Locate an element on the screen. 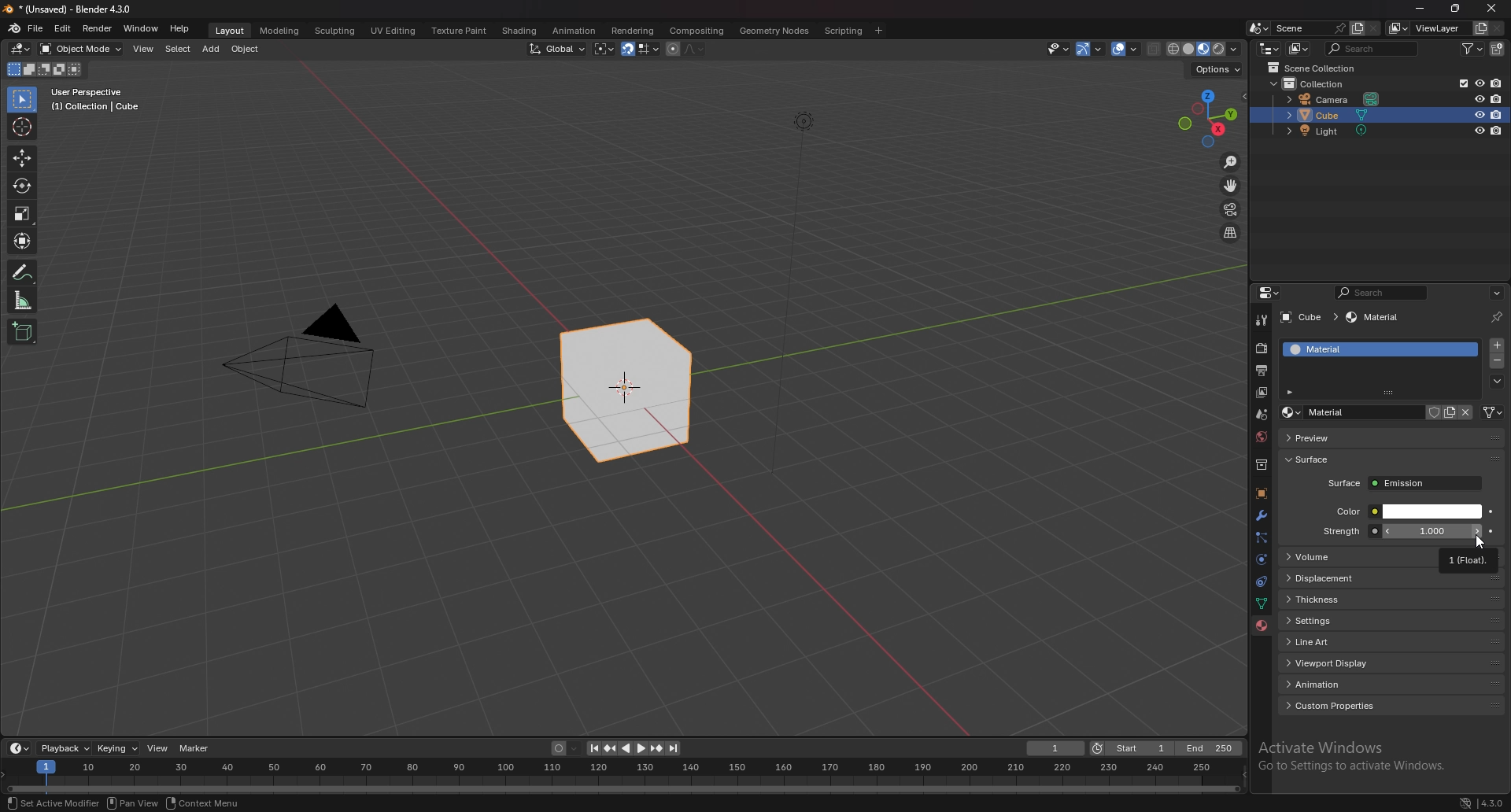 The image size is (1511, 812). rendering is located at coordinates (631, 30).